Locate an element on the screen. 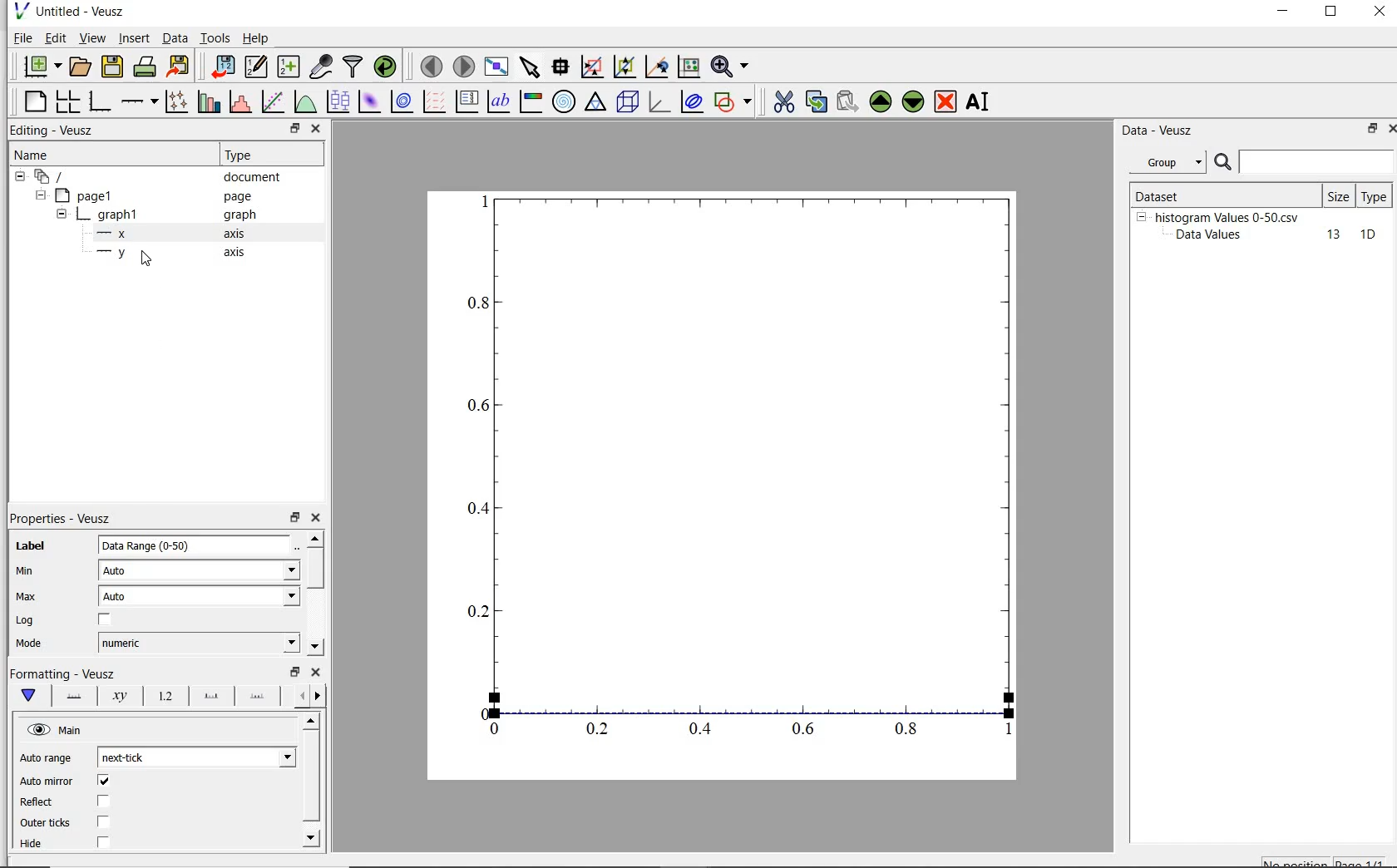 The image size is (1397, 868). move down is located at coordinates (314, 647).